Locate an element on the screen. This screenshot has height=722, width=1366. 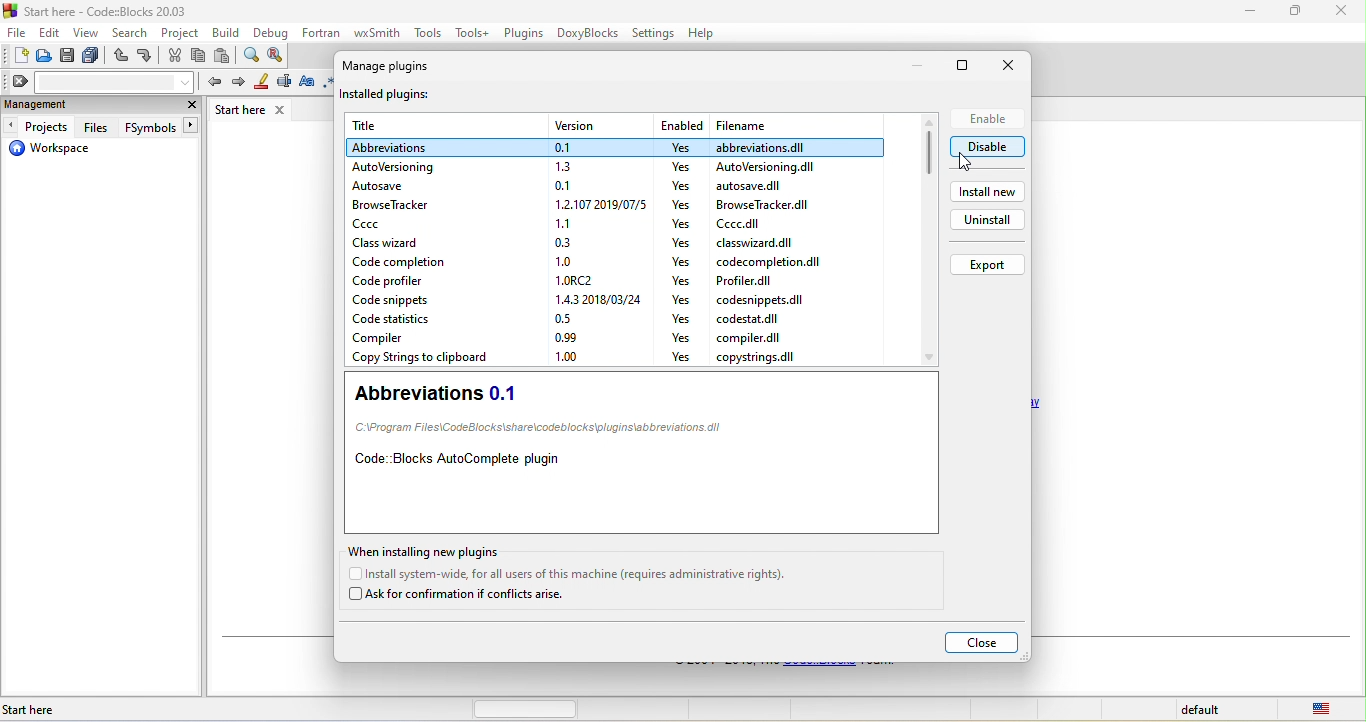
version  is located at coordinates (561, 168).